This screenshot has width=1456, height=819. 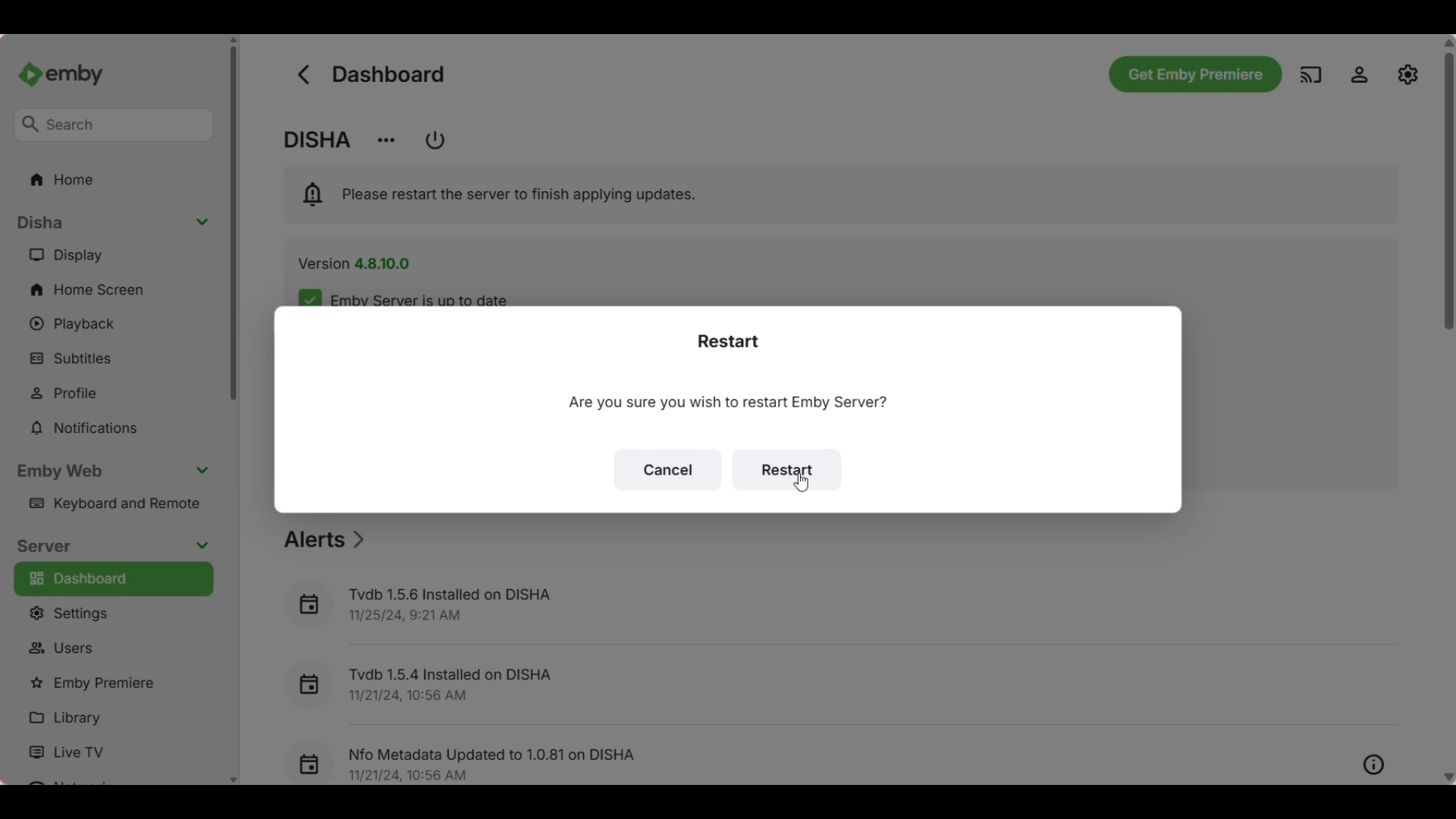 I want to click on Search box, so click(x=113, y=125).